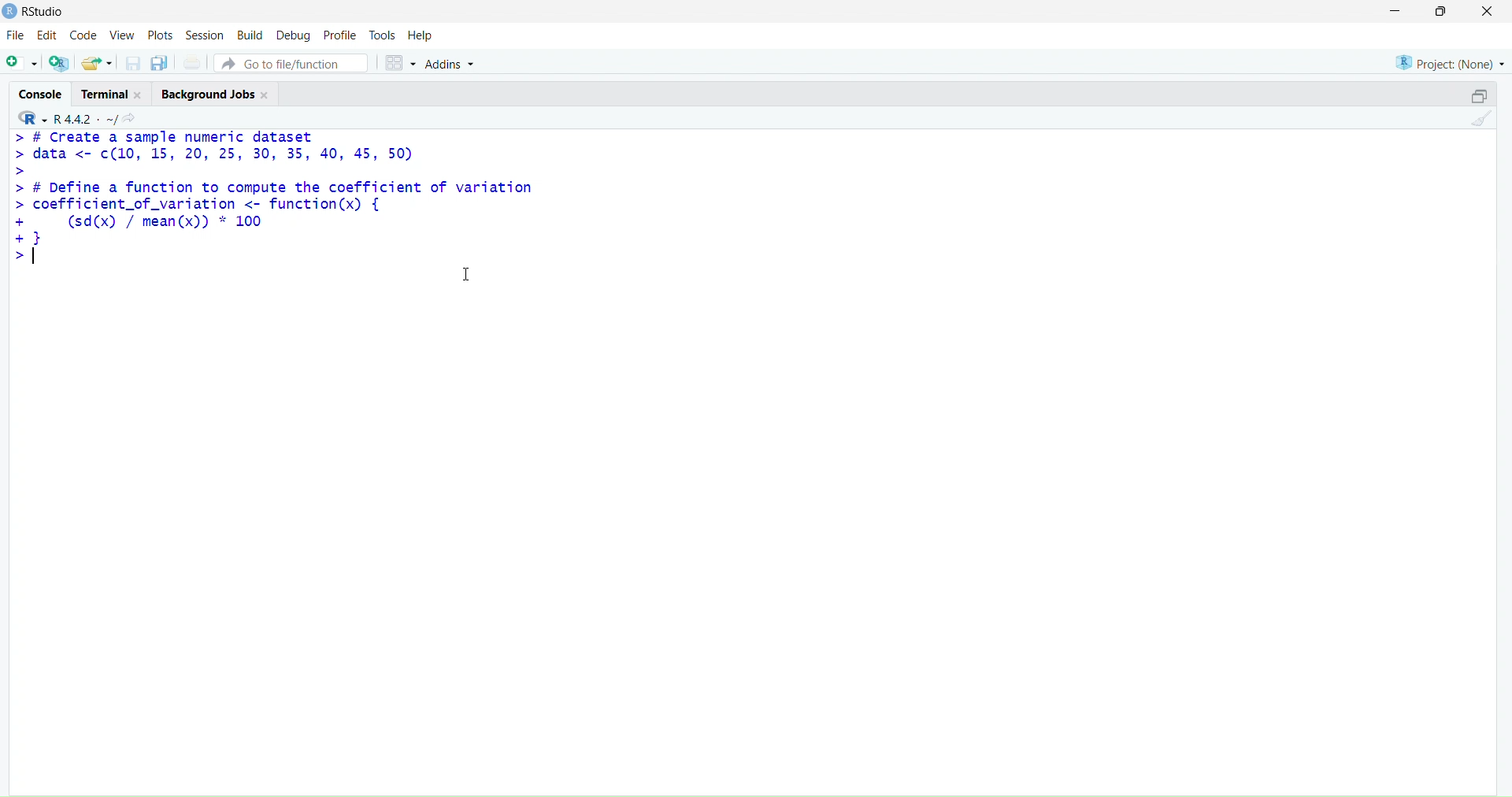 The width and height of the screenshot is (1512, 797). I want to click on add file as, so click(22, 64).